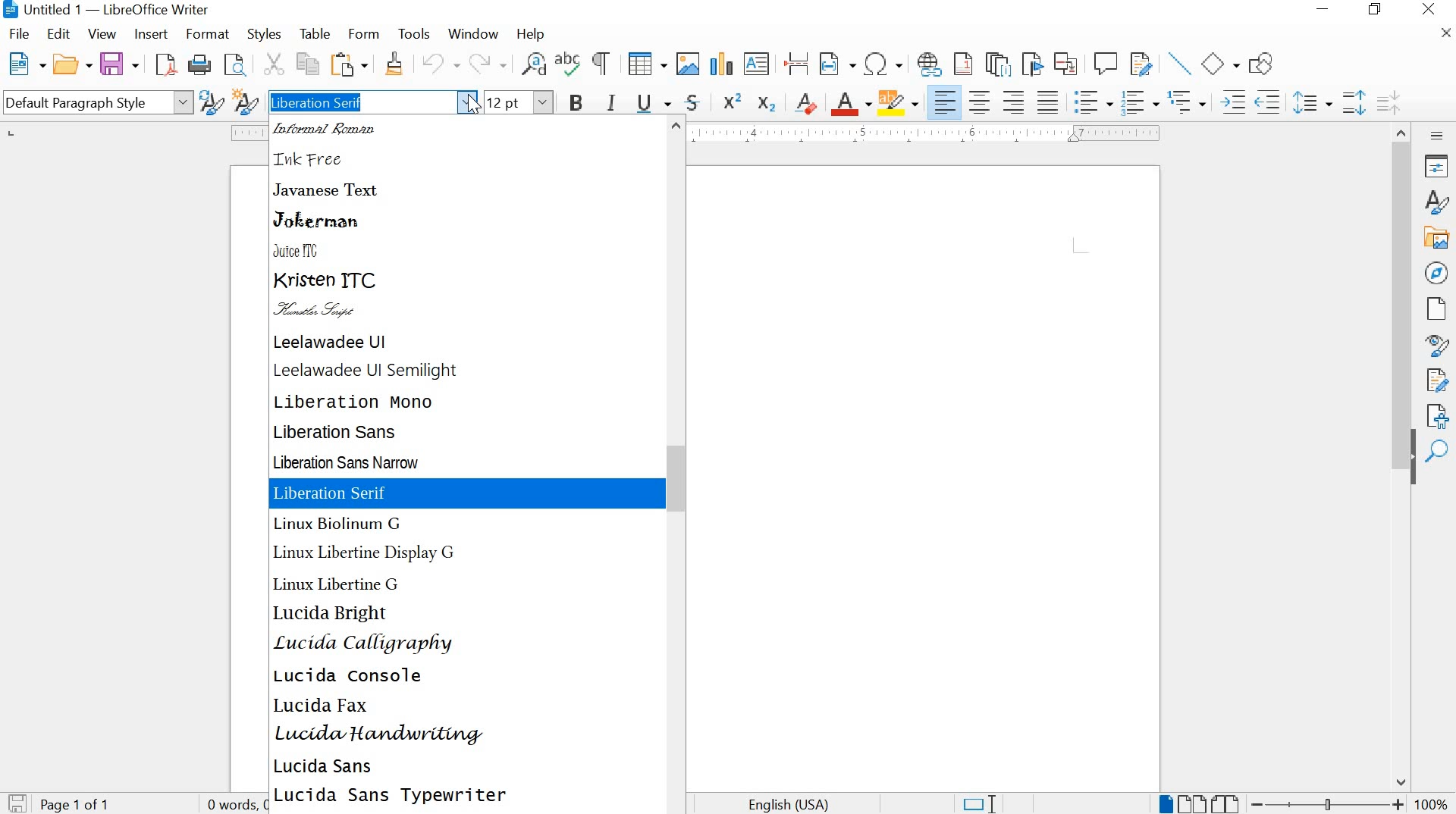 This screenshot has height=814, width=1456. I want to click on ZOOM FACTOR, so click(1432, 803).